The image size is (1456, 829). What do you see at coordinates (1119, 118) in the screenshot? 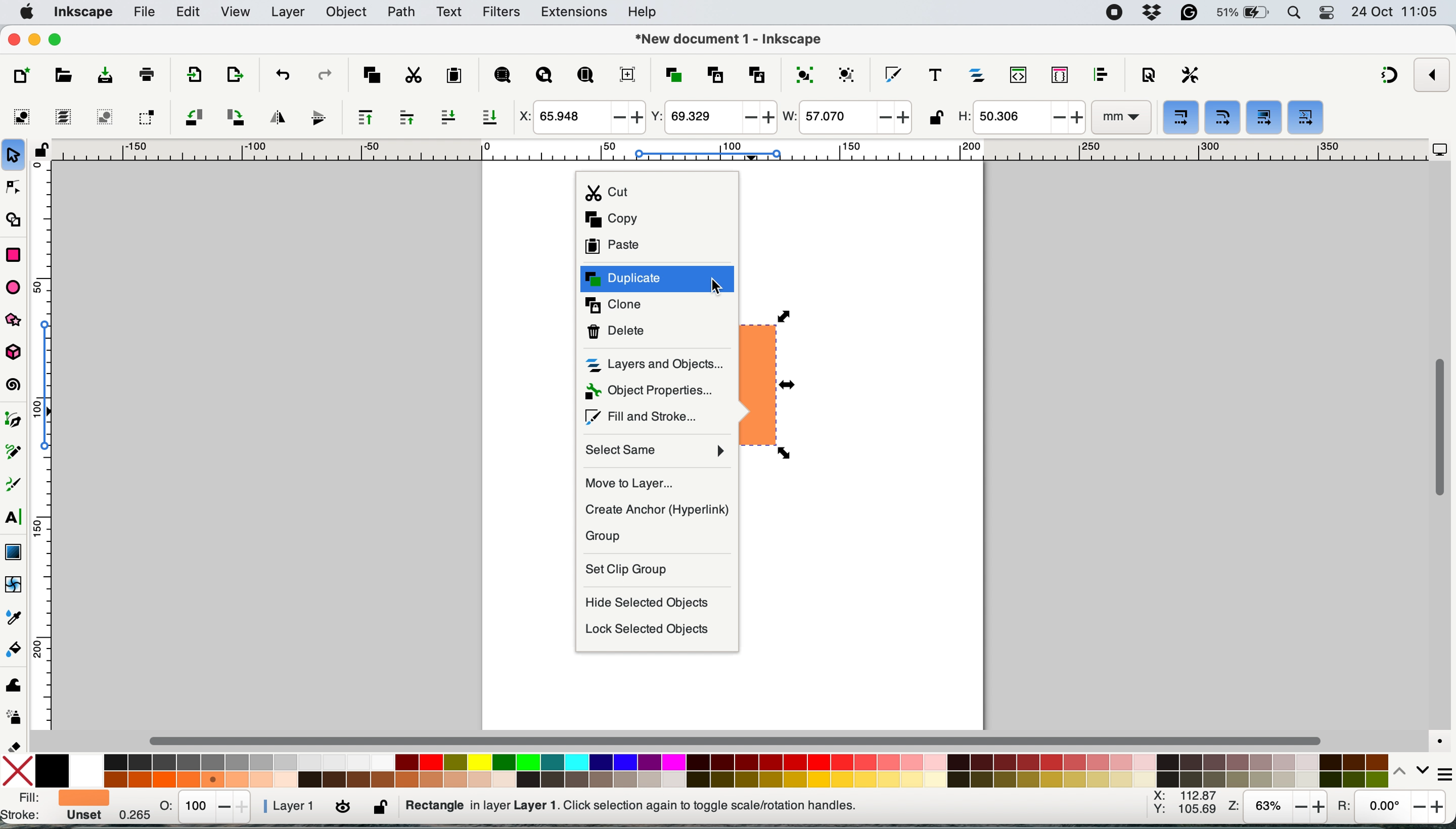
I see `mm` at bounding box center [1119, 118].